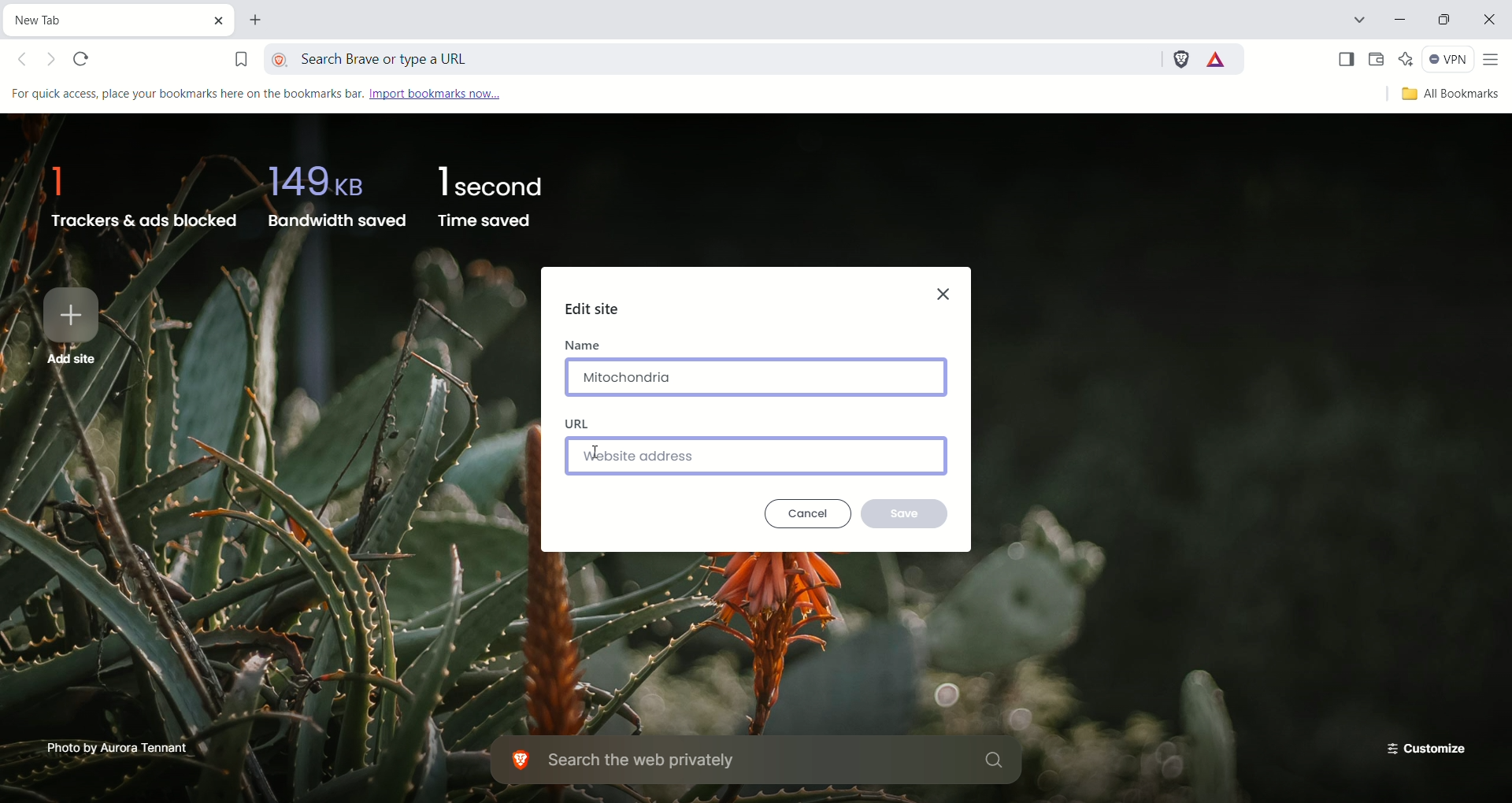 This screenshot has width=1512, height=803. What do you see at coordinates (73, 324) in the screenshot?
I see `Add site` at bounding box center [73, 324].